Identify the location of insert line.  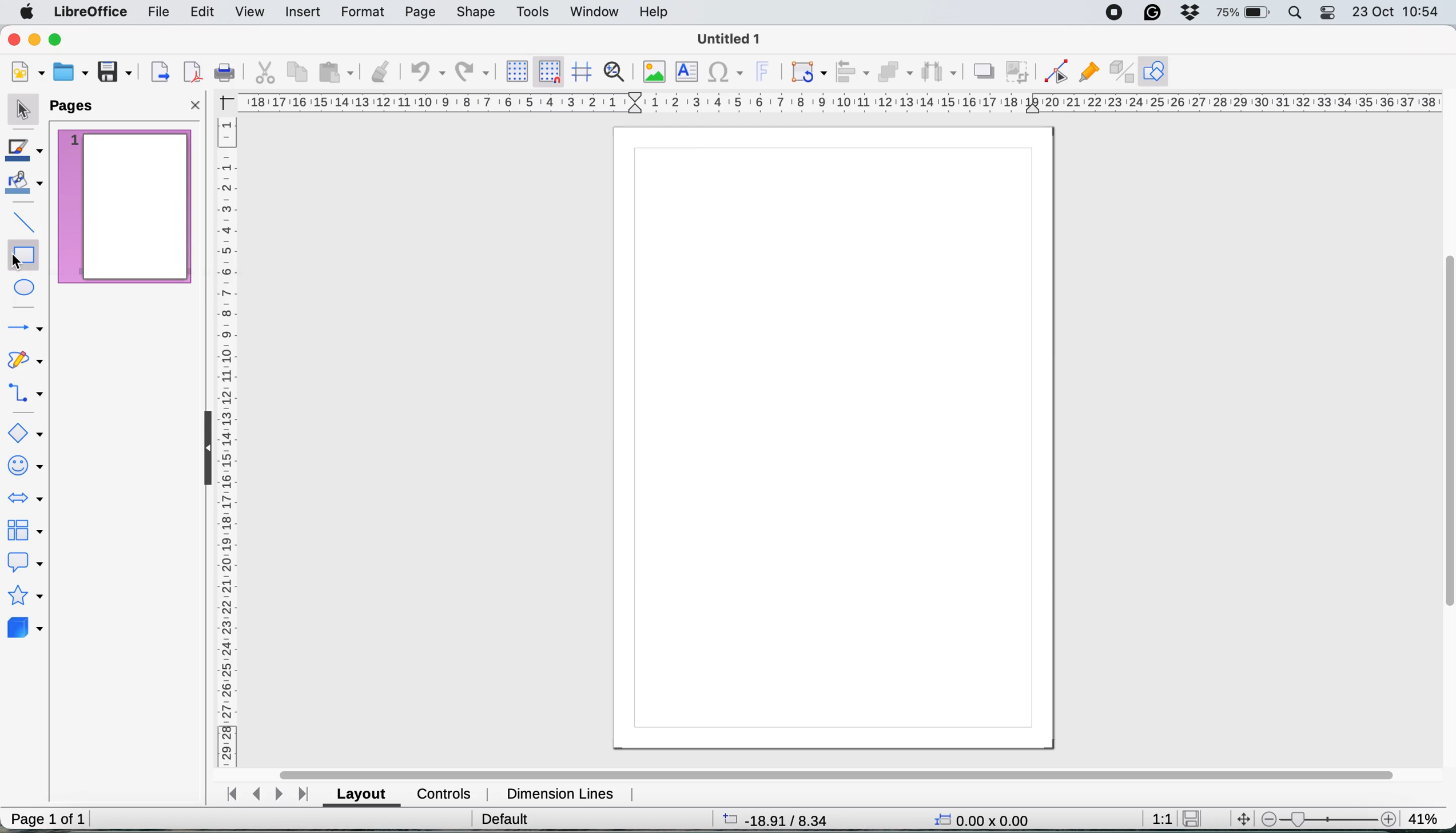
(21, 220).